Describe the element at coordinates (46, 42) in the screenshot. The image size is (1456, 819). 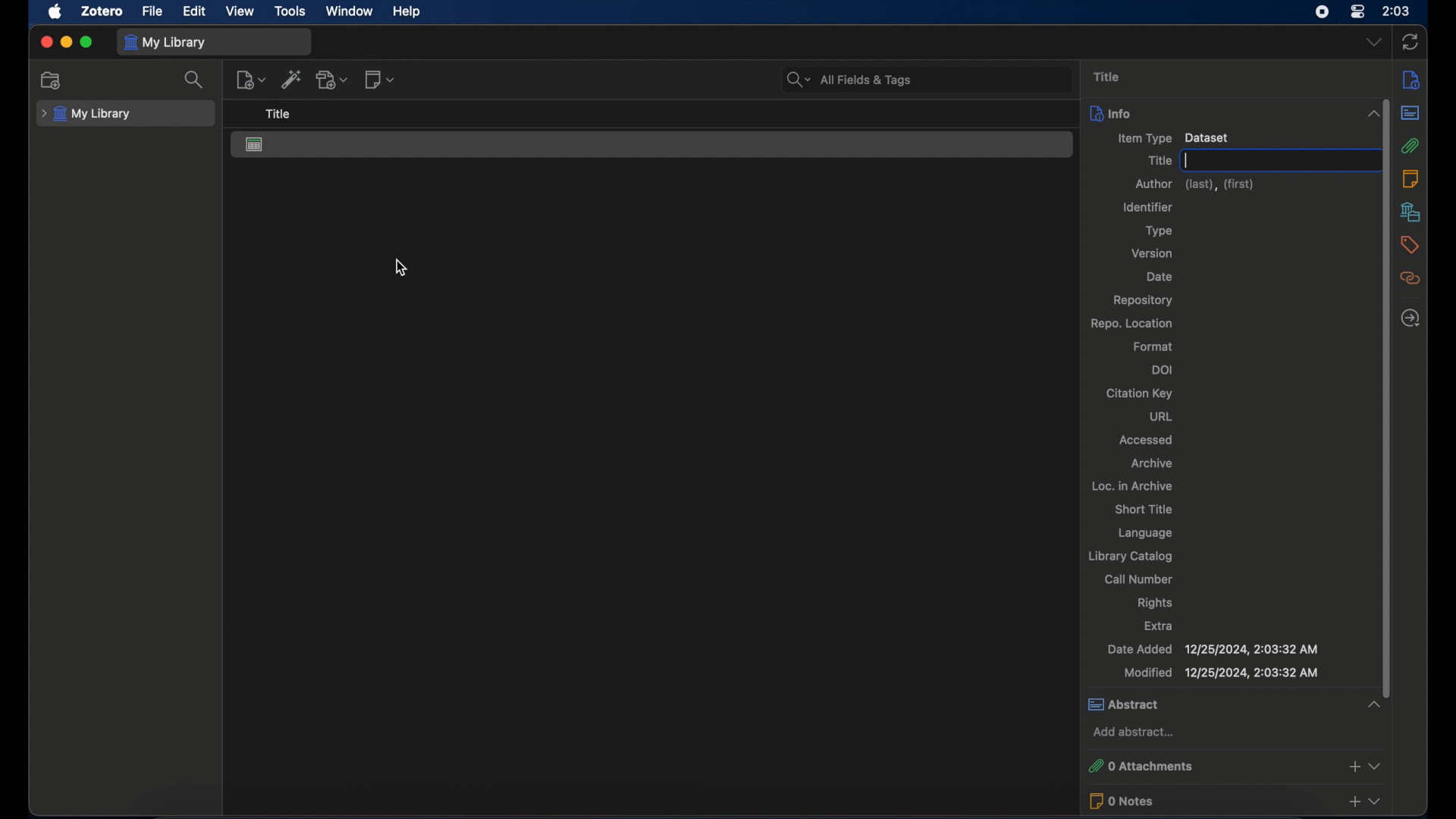
I see `close` at that location.